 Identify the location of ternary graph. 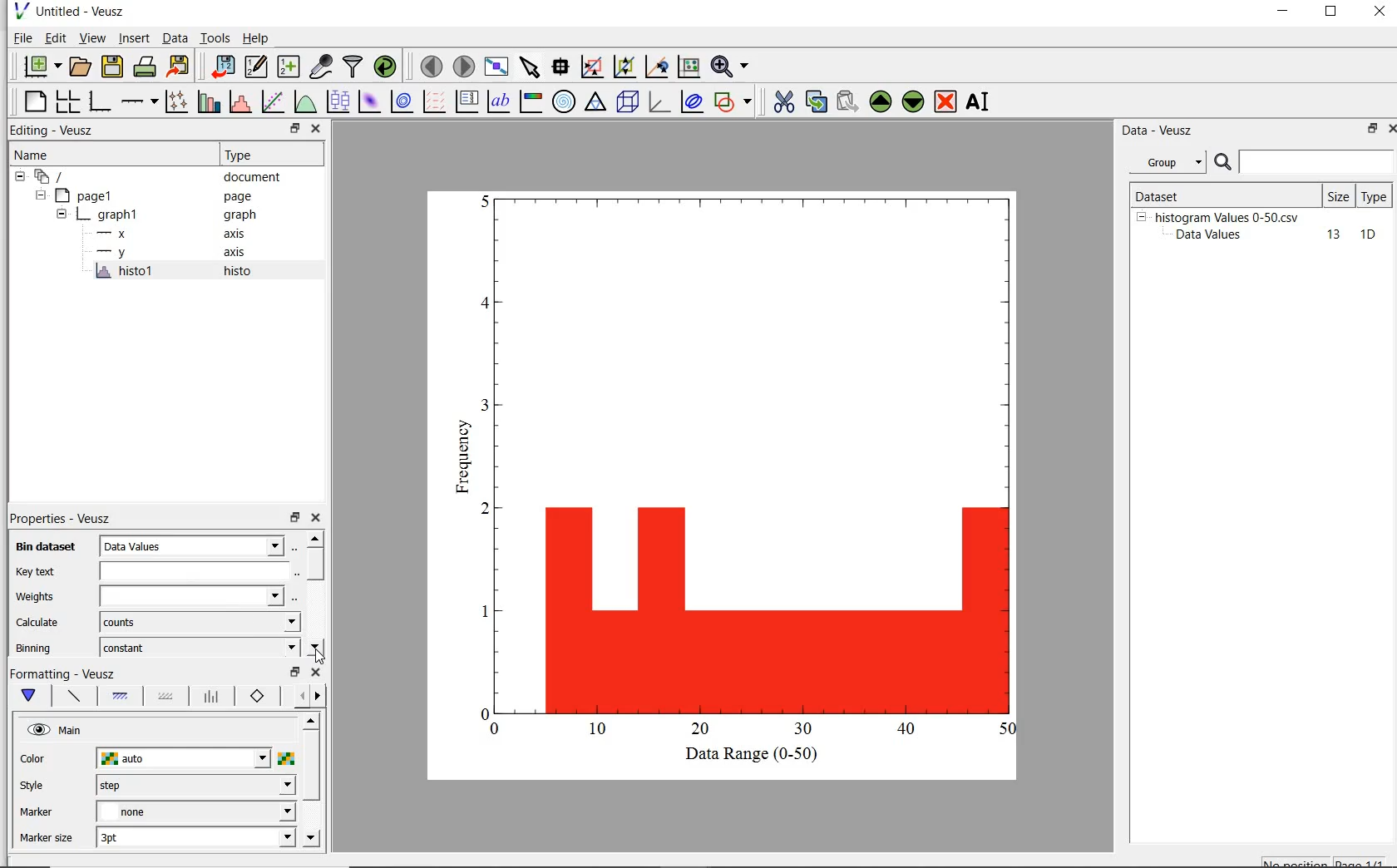
(596, 103).